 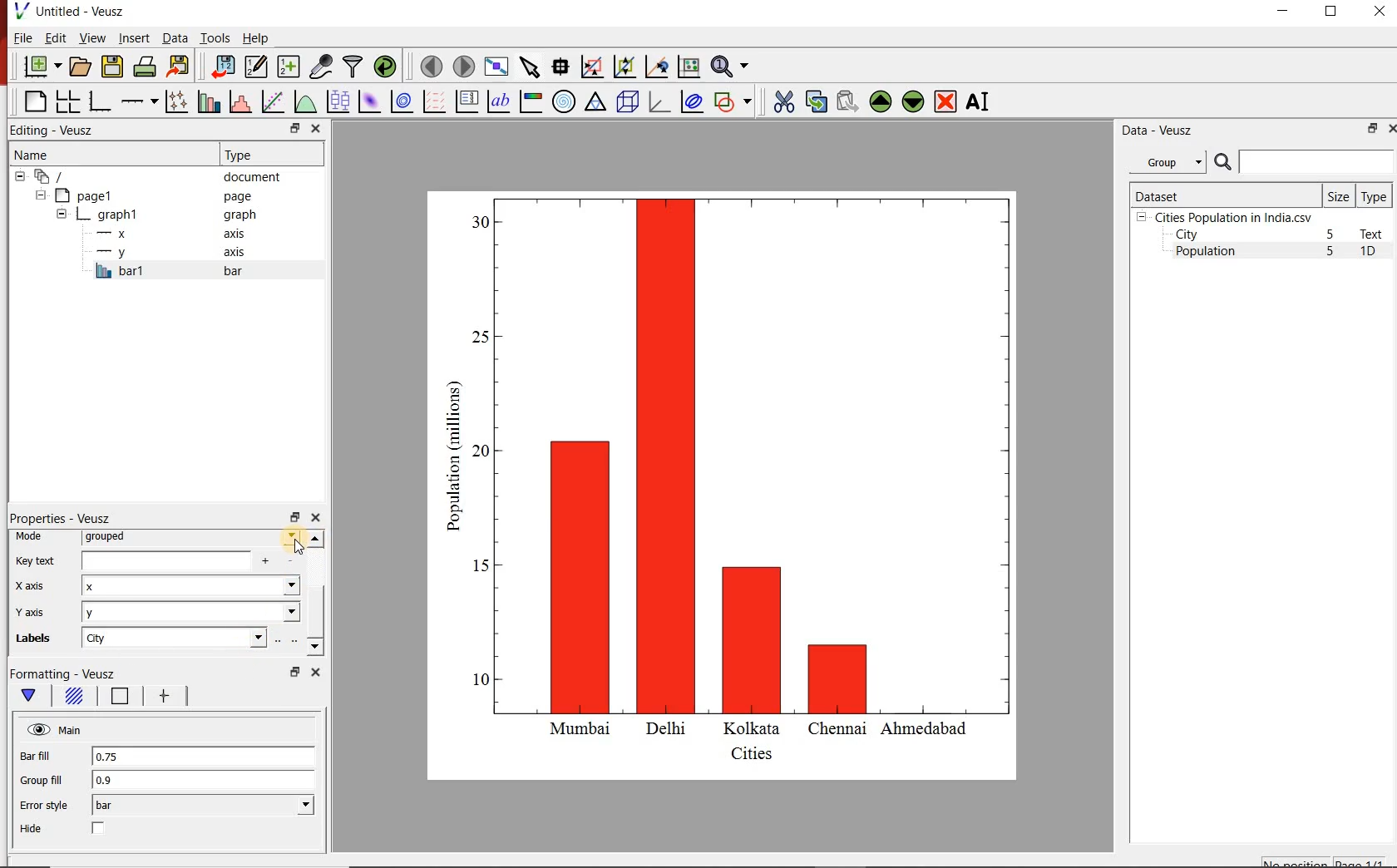 What do you see at coordinates (254, 67) in the screenshot?
I see `edit and enter new datasets` at bounding box center [254, 67].